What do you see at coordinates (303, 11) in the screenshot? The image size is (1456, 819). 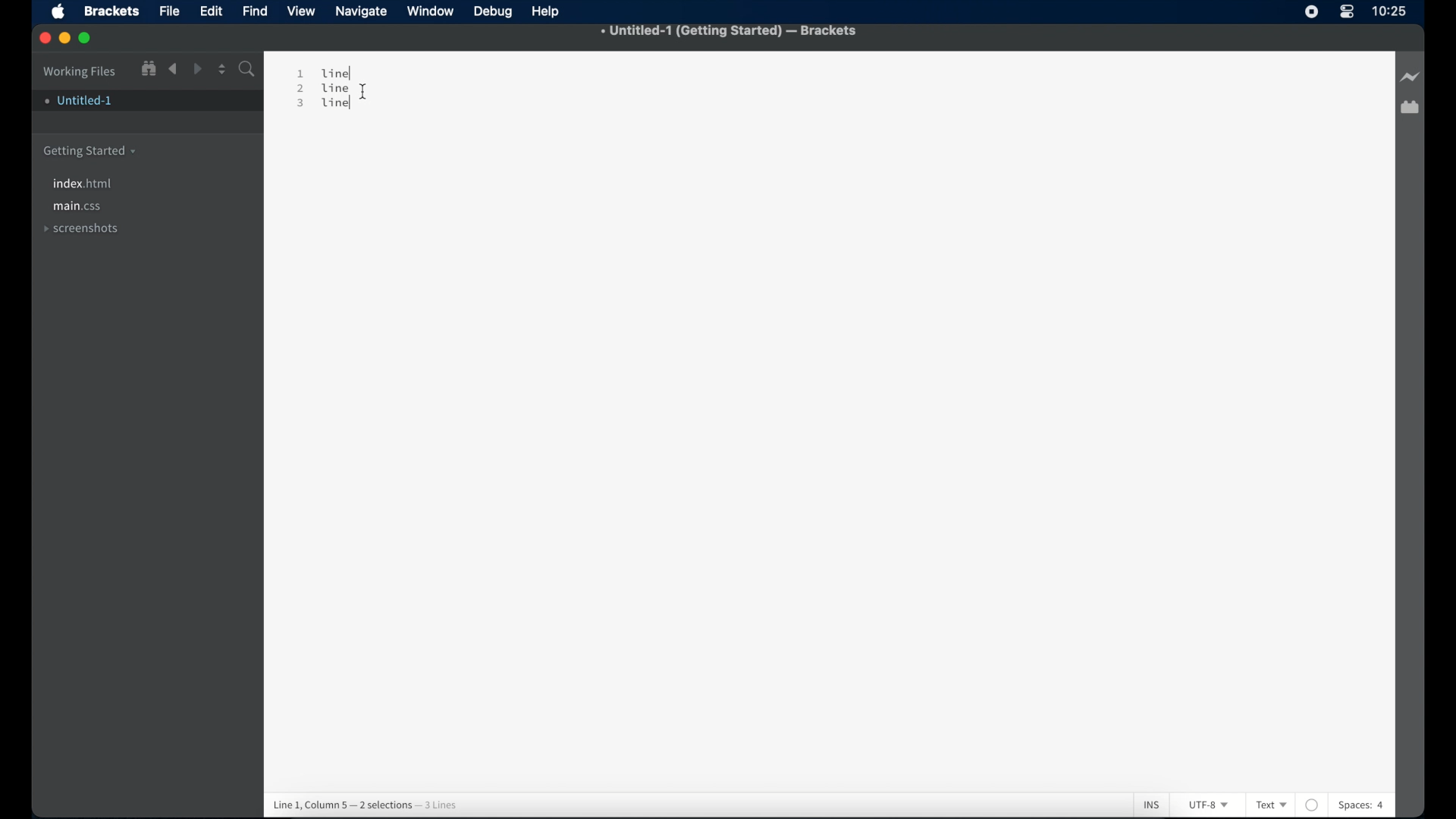 I see `view` at bounding box center [303, 11].